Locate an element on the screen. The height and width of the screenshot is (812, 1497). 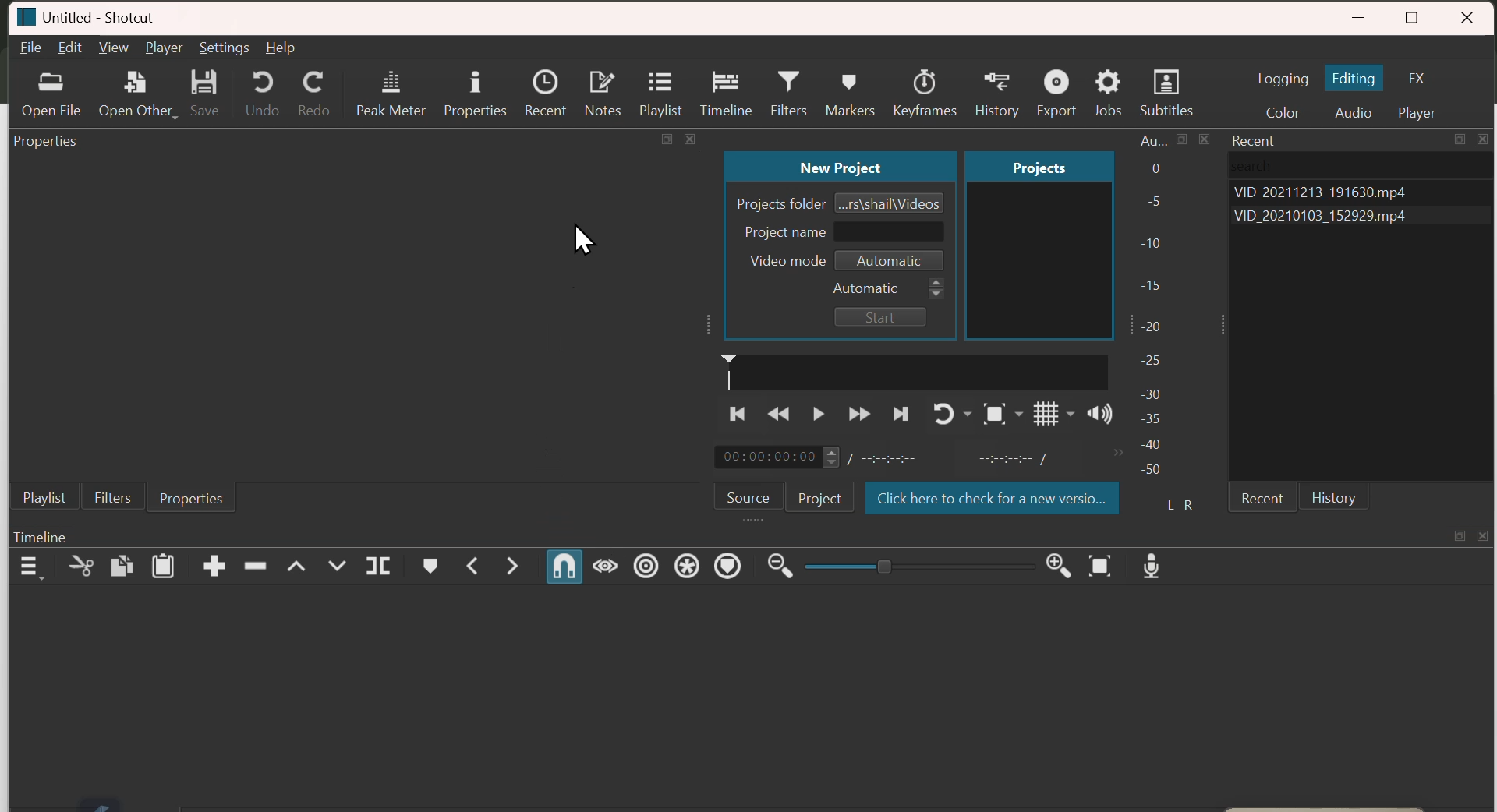
Maximize is located at coordinates (1460, 139).